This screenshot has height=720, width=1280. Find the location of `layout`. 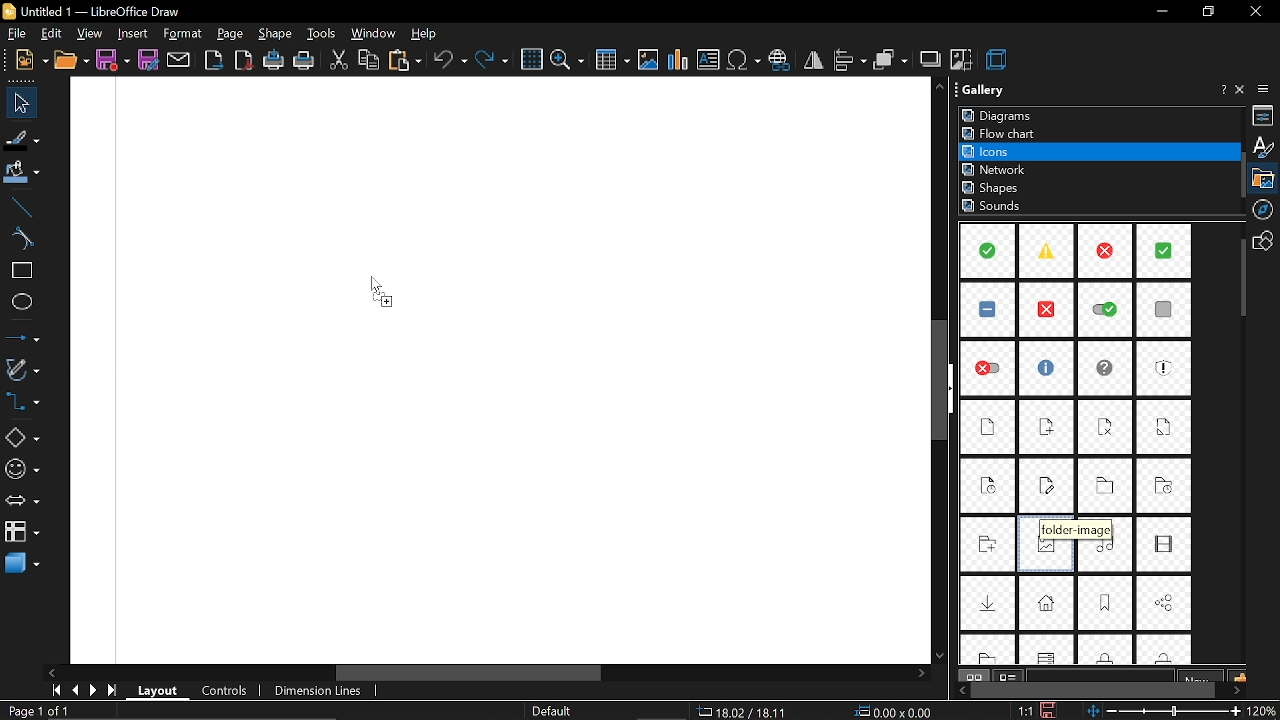

layout is located at coordinates (157, 692).